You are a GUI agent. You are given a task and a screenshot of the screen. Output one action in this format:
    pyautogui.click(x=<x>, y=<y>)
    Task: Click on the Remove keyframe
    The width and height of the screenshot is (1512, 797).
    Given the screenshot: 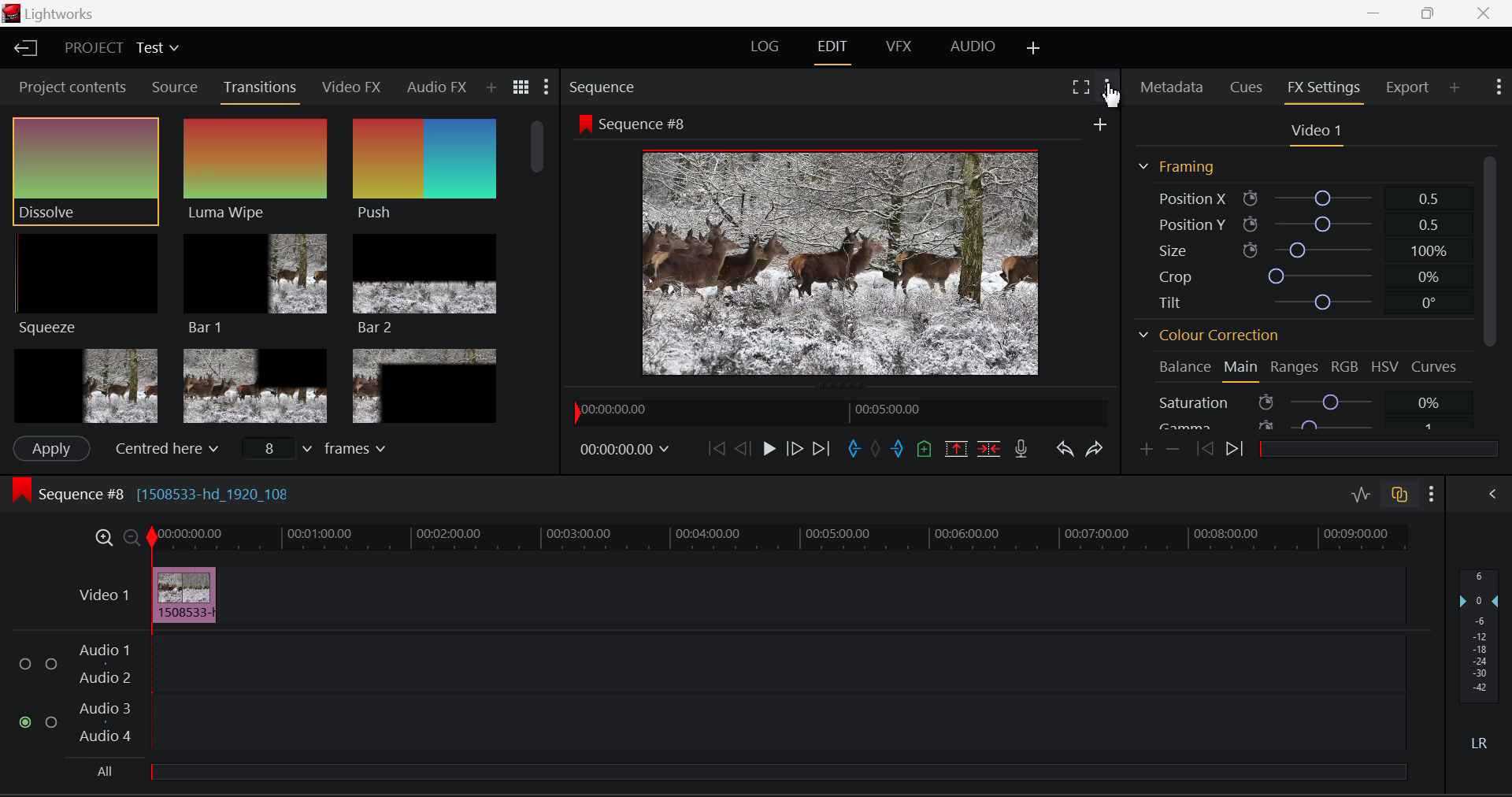 What is the action you would take?
    pyautogui.click(x=1173, y=450)
    